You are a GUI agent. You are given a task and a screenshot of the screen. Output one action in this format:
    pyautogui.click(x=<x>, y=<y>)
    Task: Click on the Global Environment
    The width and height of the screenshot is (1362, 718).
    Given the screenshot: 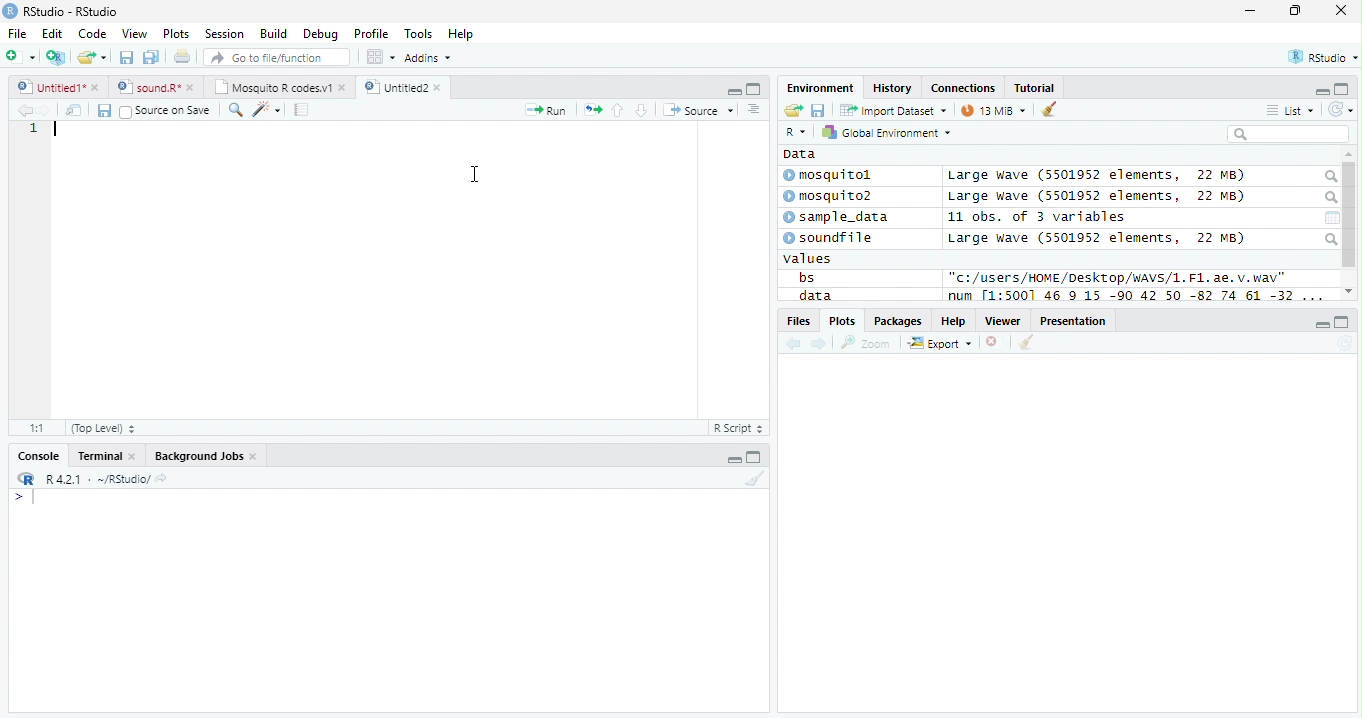 What is the action you would take?
    pyautogui.click(x=884, y=131)
    